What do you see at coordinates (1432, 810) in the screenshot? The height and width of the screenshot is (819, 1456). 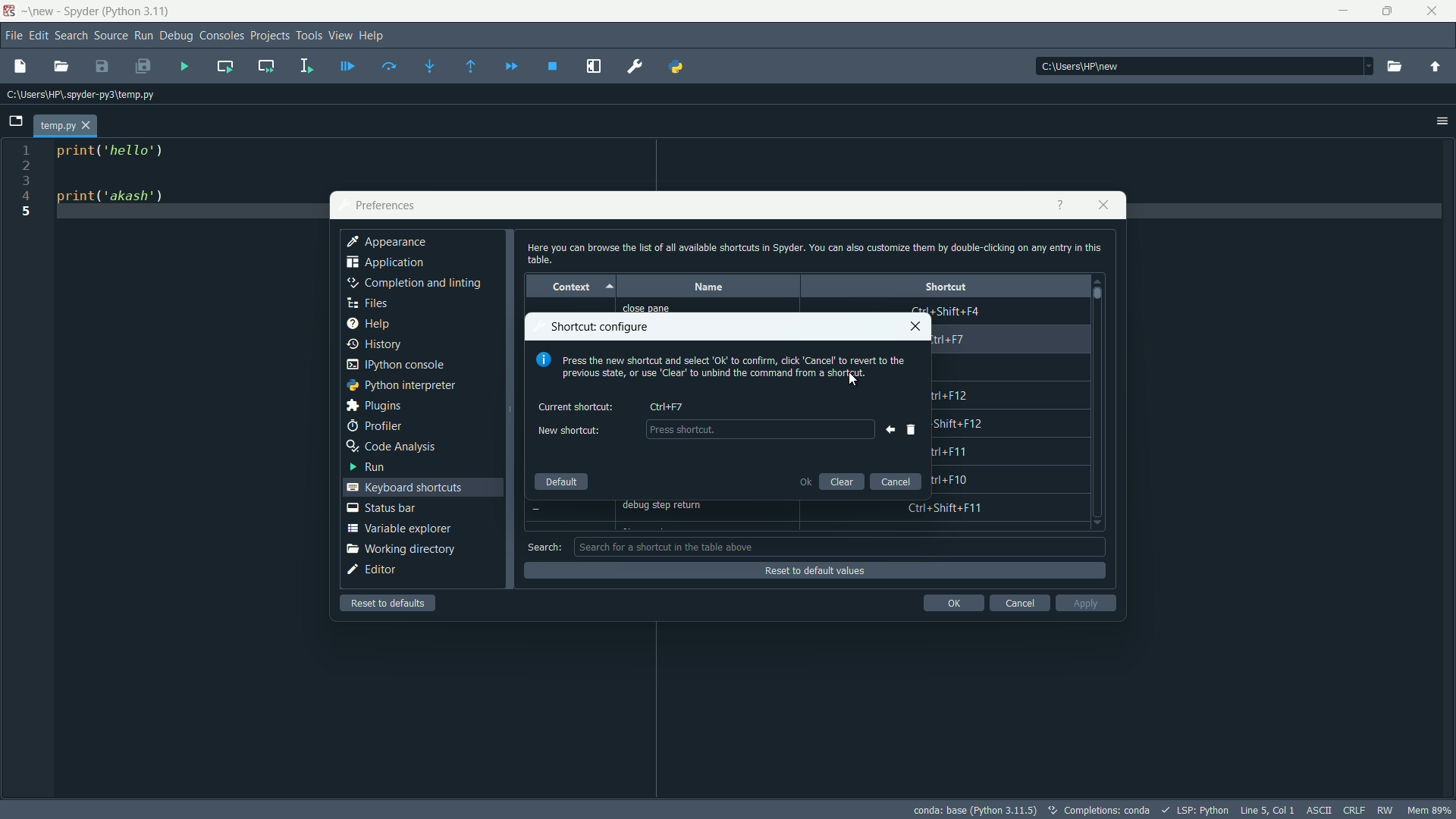 I see `memory usage` at bounding box center [1432, 810].